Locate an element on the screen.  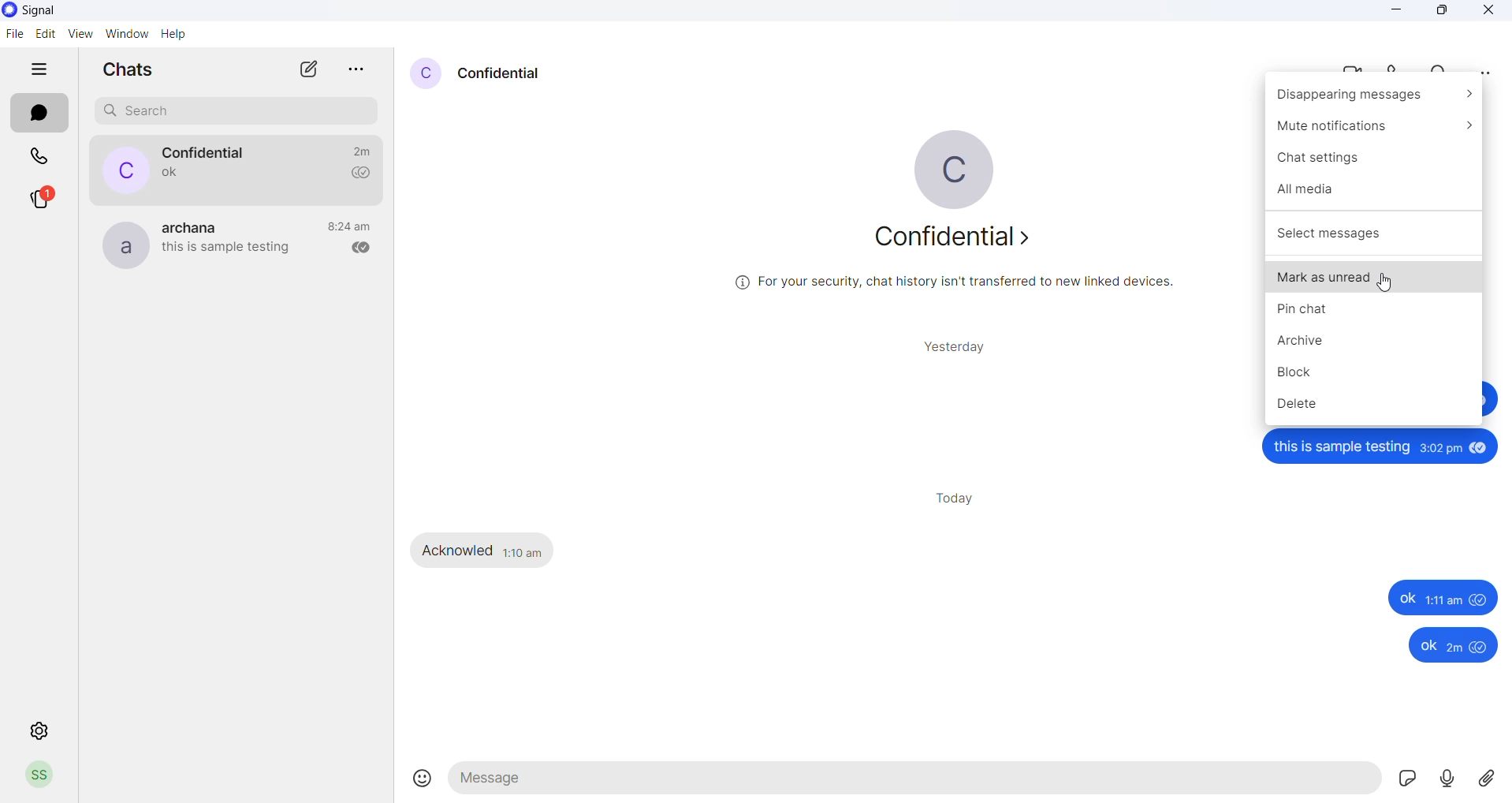
stories is located at coordinates (39, 199).